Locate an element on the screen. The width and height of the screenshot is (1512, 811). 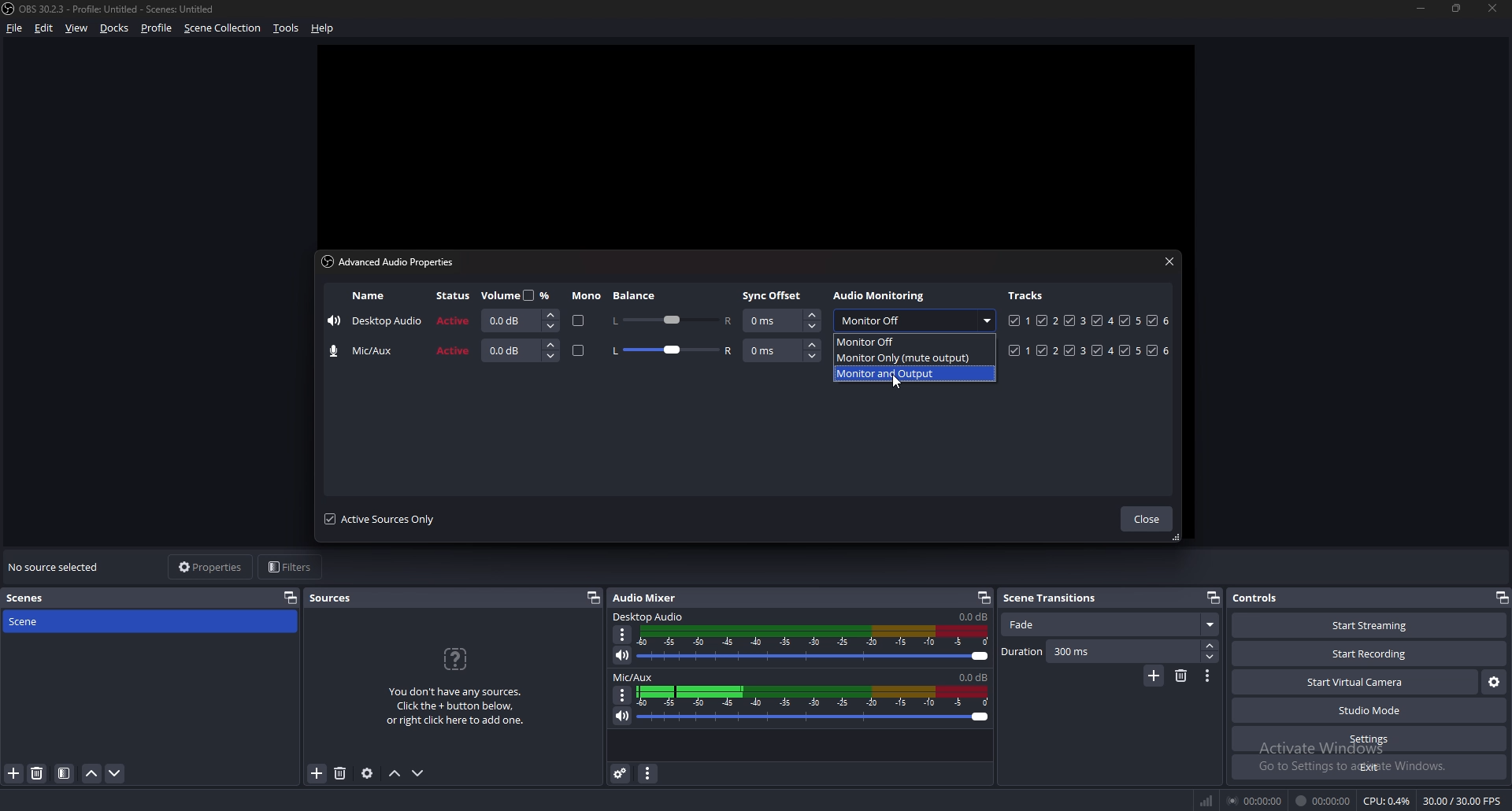
options is located at coordinates (624, 635).